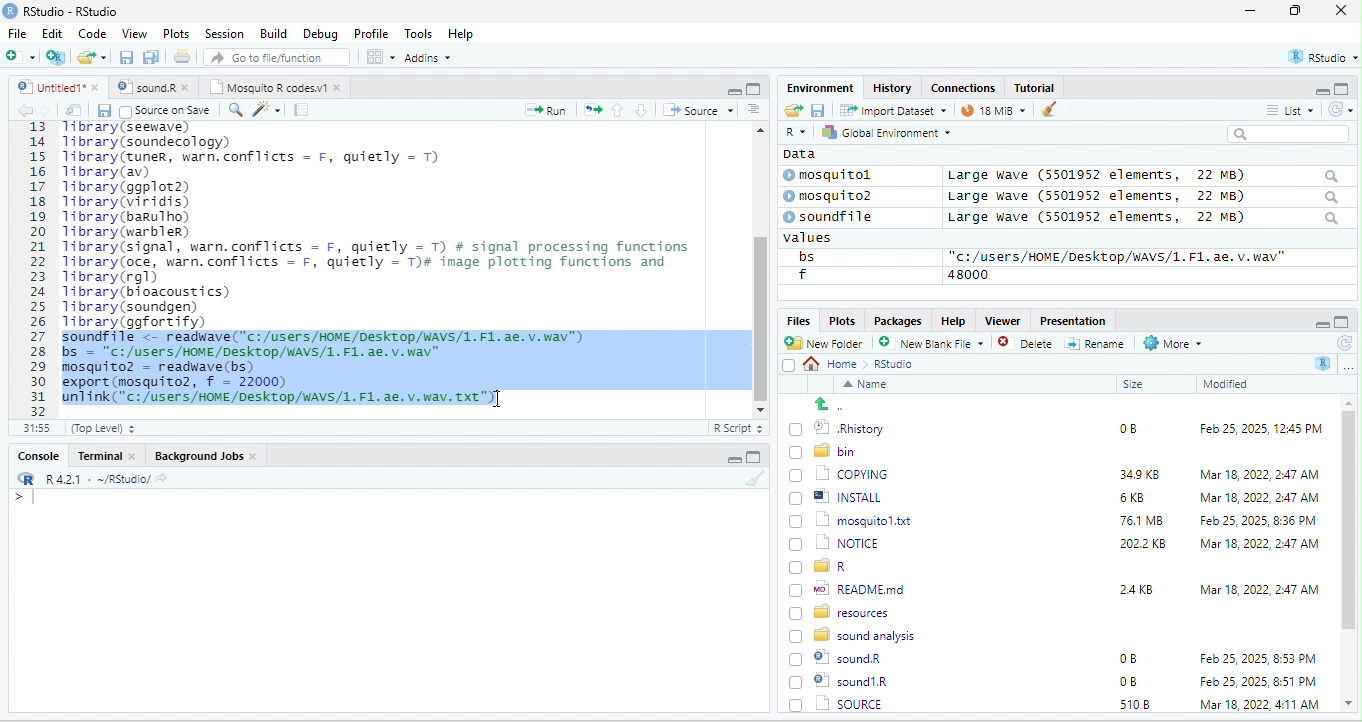 The height and width of the screenshot is (722, 1362). I want to click on source on Save, so click(167, 112).